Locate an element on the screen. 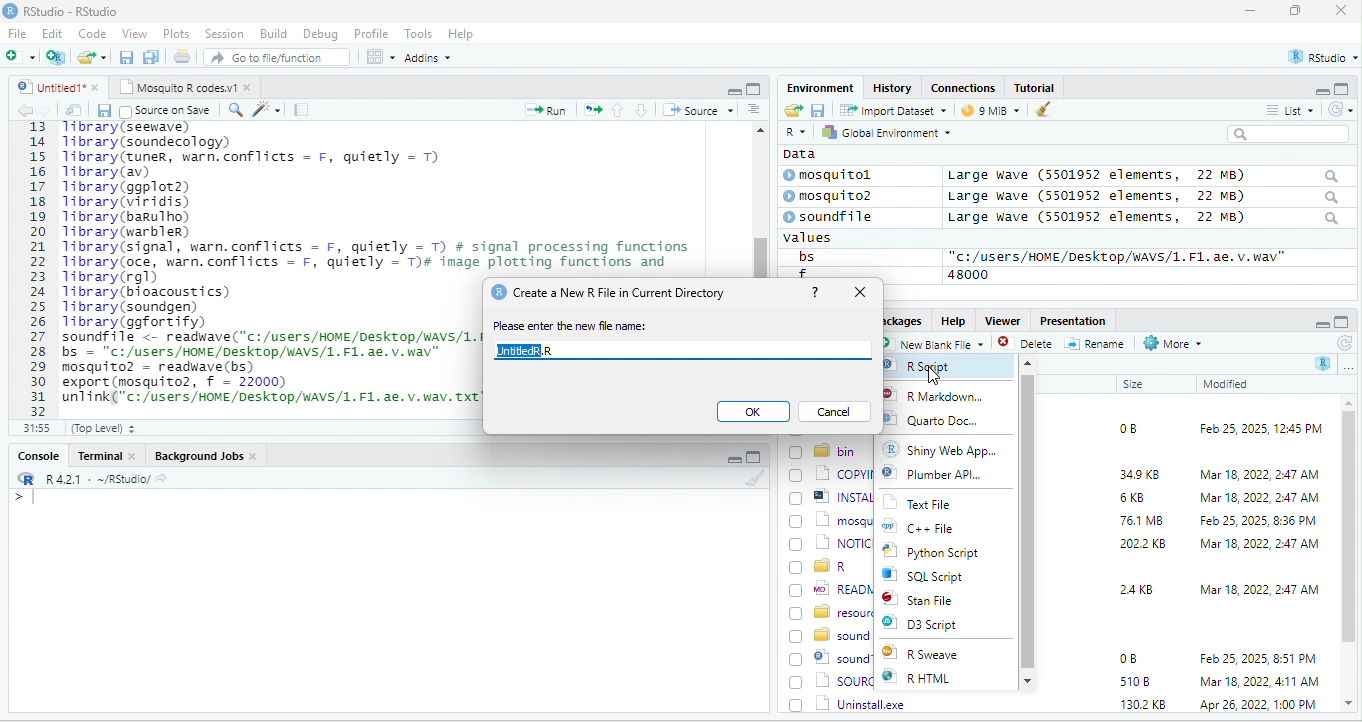  new project is located at coordinates (57, 57).